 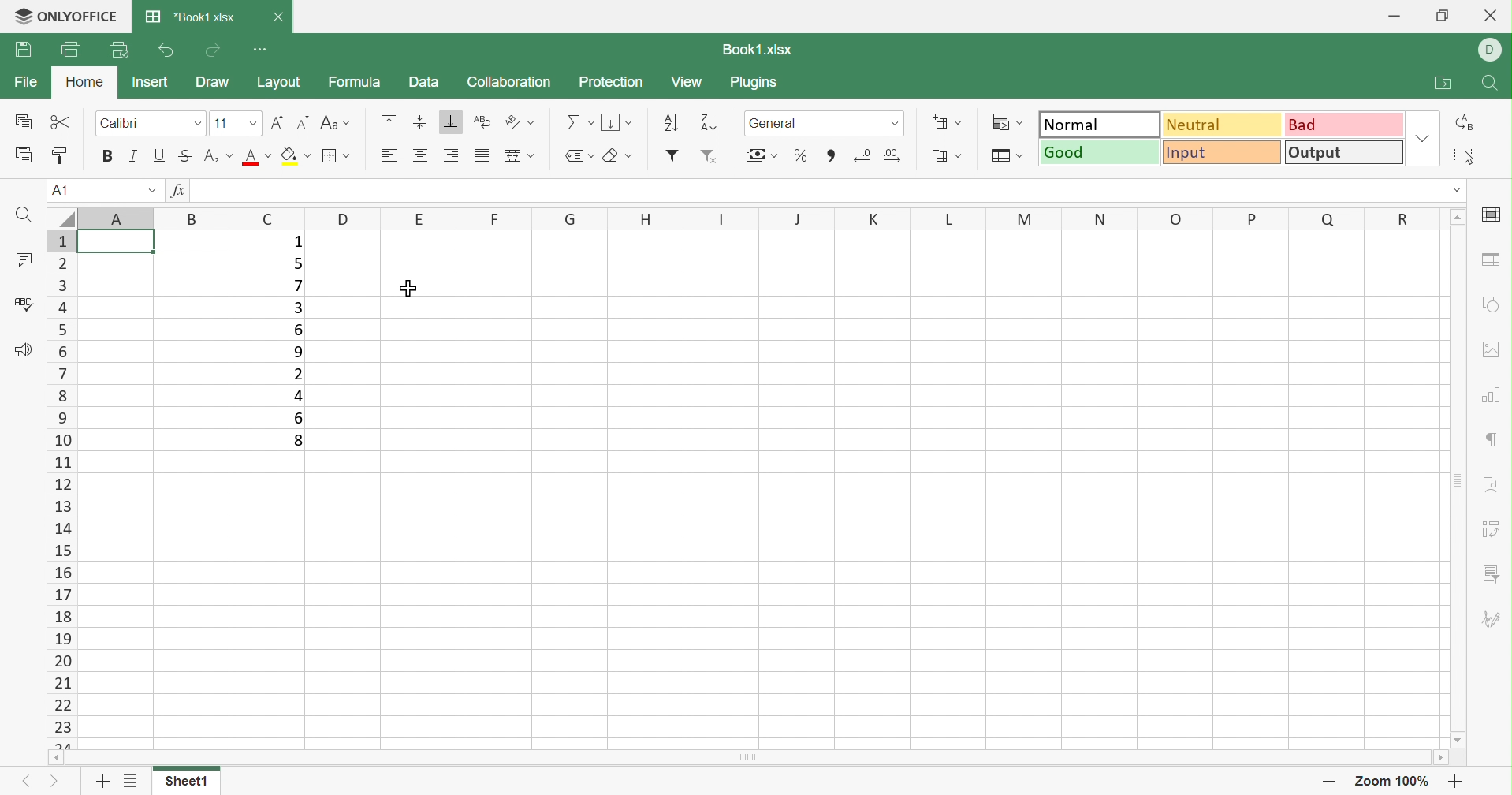 I want to click on Drop Down, so click(x=895, y=123).